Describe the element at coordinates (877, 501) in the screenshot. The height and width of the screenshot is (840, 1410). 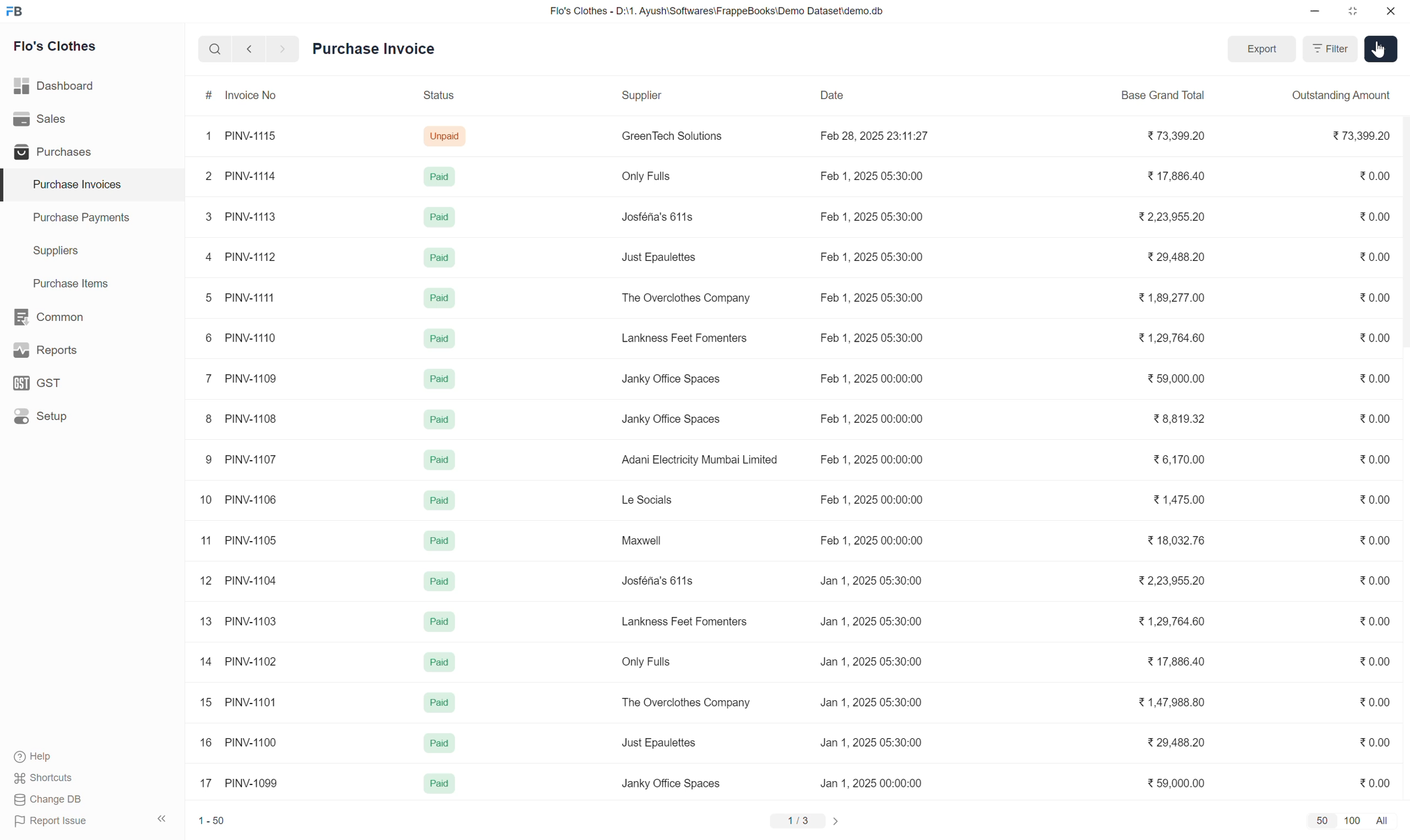
I see `Feb 1, 2025 00:00:00` at that location.